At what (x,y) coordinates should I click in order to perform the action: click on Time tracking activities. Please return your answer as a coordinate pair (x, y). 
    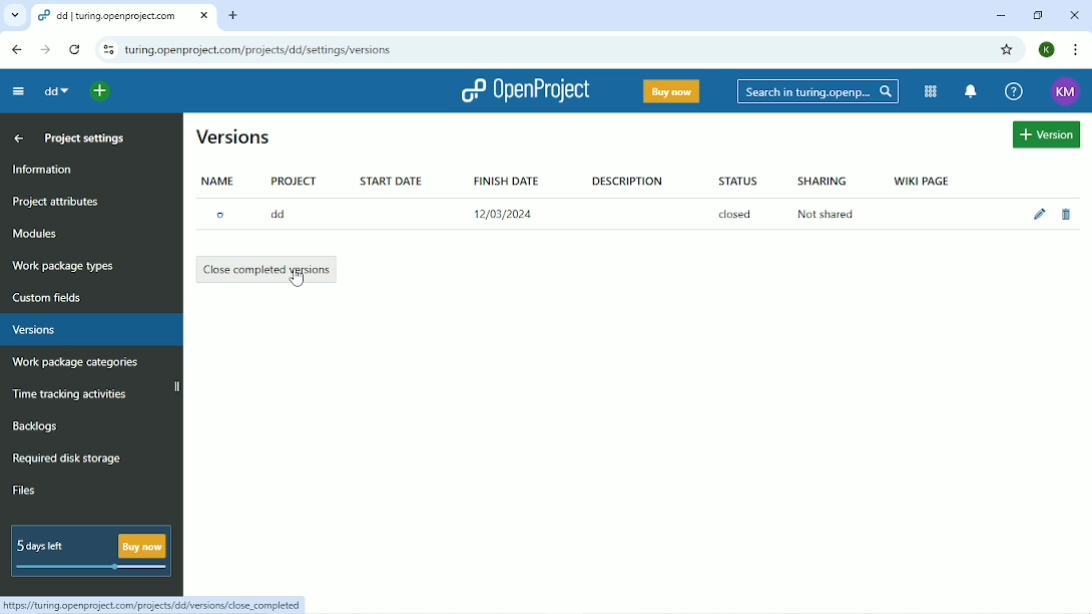
    Looking at the image, I should click on (73, 392).